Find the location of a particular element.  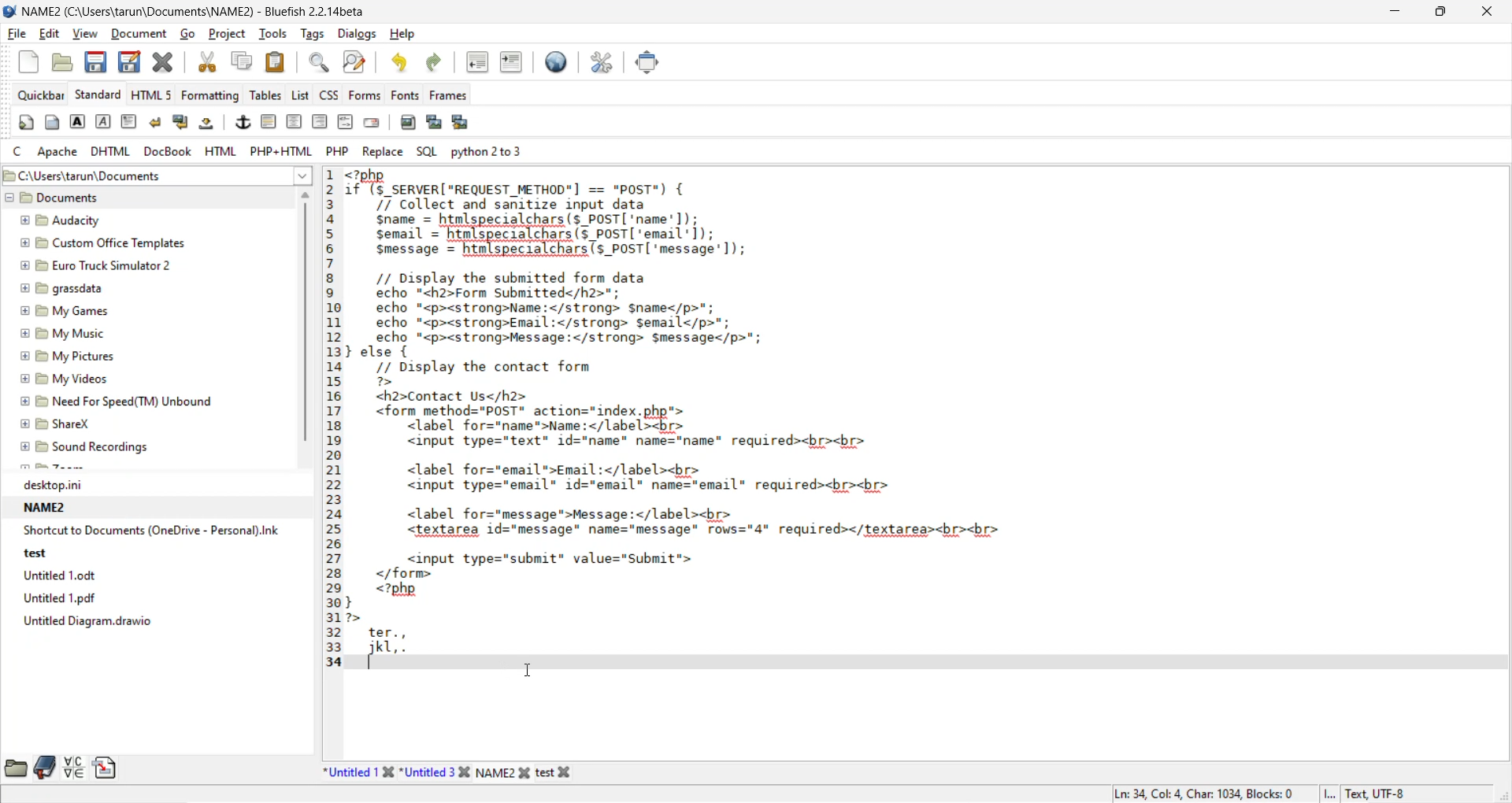

tags is located at coordinates (315, 35).